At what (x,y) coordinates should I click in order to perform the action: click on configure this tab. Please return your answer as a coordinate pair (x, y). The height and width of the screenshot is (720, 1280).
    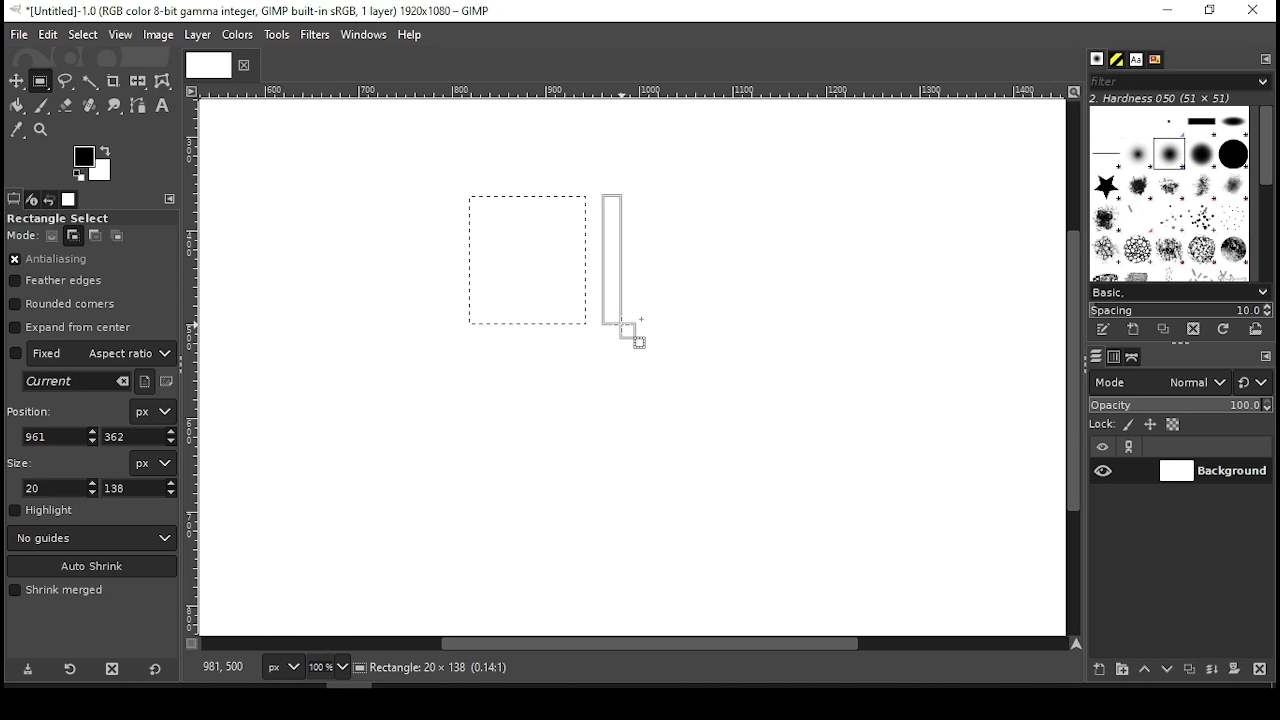
    Looking at the image, I should click on (1267, 58).